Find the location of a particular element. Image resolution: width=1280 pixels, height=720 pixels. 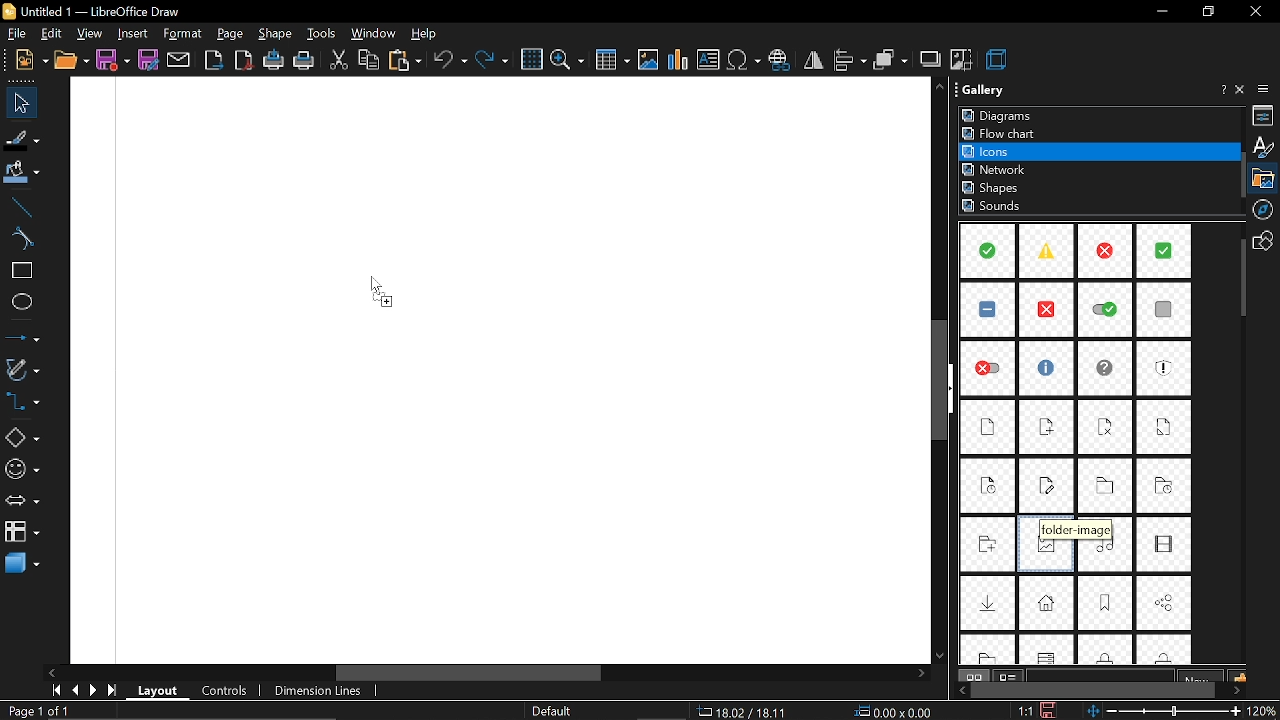

page is located at coordinates (231, 34).